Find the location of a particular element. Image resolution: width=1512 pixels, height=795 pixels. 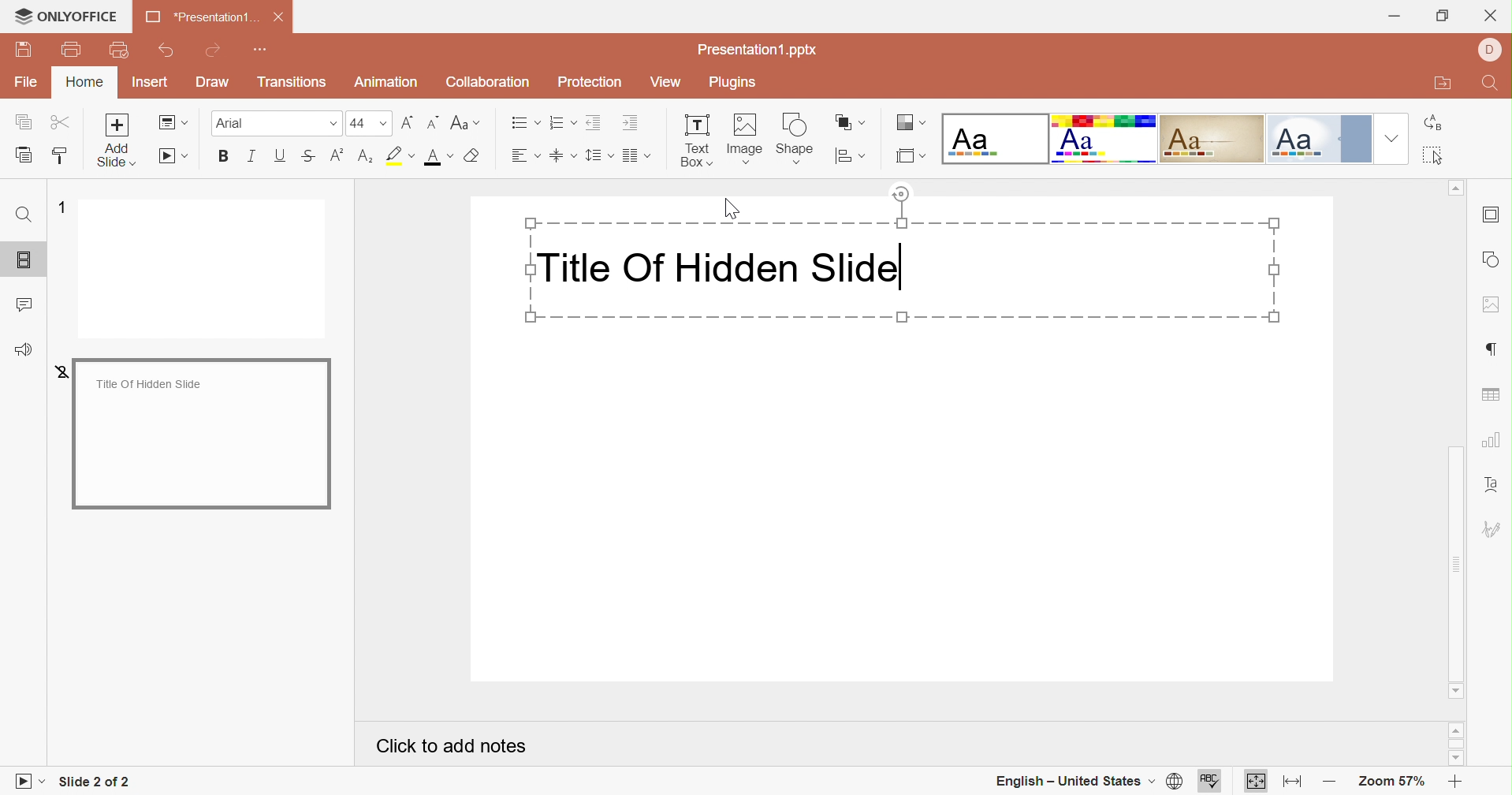

Title Of Hidden Slide is located at coordinates (721, 267).